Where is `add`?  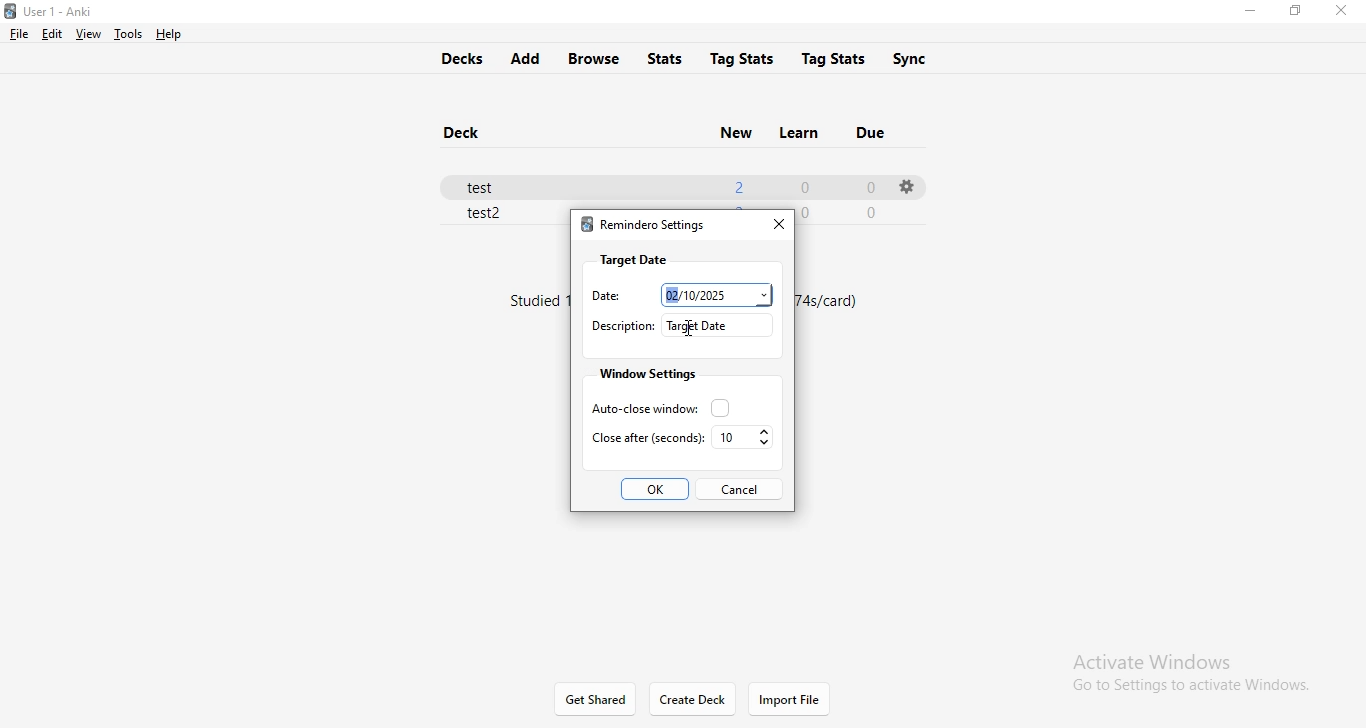
add is located at coordinates (524, 59).